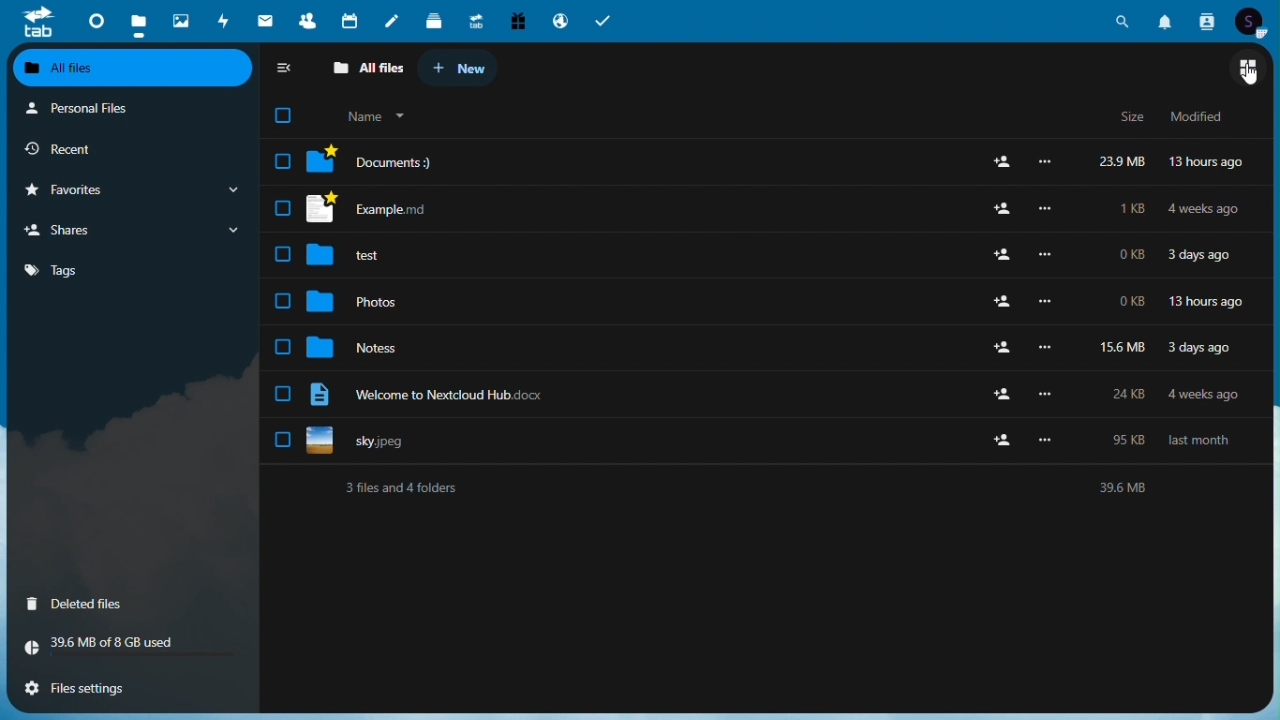  What do you see at coordinates (1202, 443) in the screenshot?
I see `last month` at bounding box center [1202, 443].